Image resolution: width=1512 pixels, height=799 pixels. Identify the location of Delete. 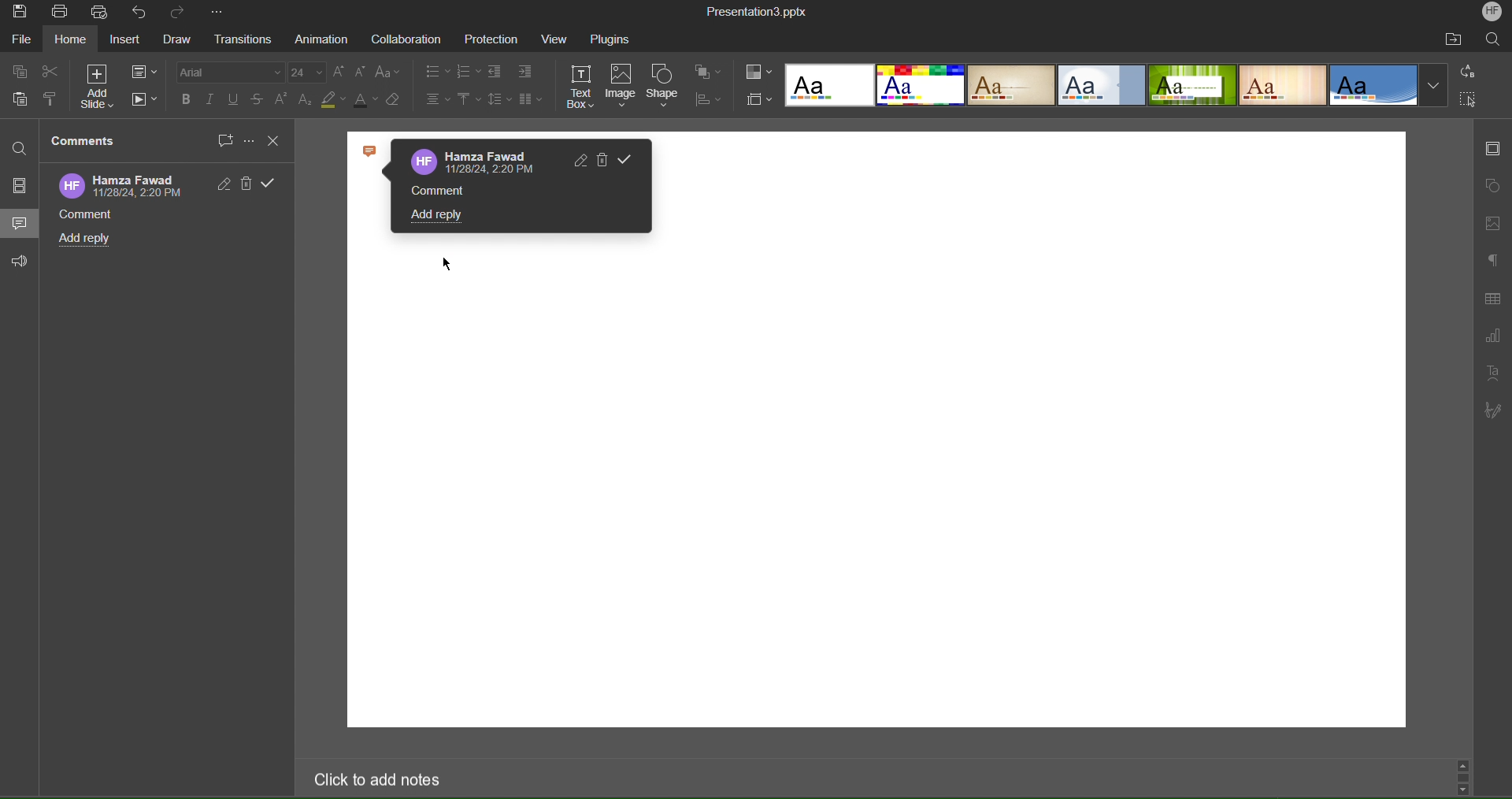
(247, 183).